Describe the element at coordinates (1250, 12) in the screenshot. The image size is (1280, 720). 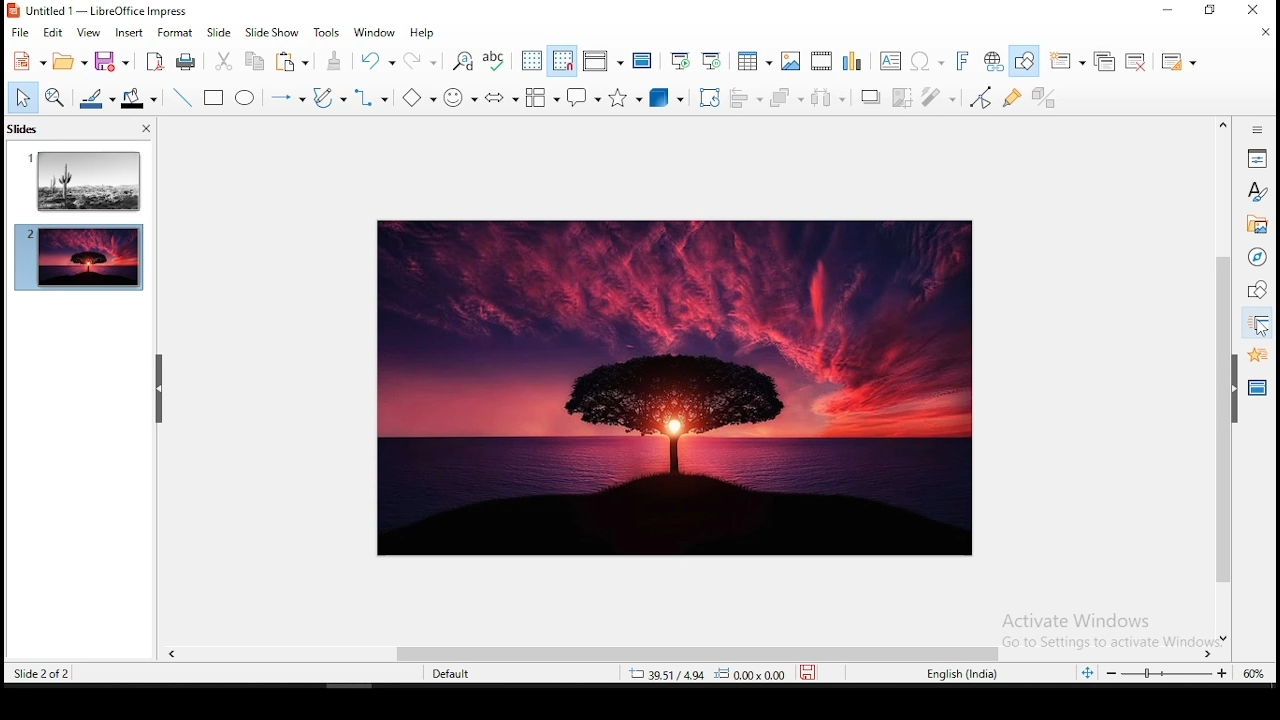
I see `Close` at that location.